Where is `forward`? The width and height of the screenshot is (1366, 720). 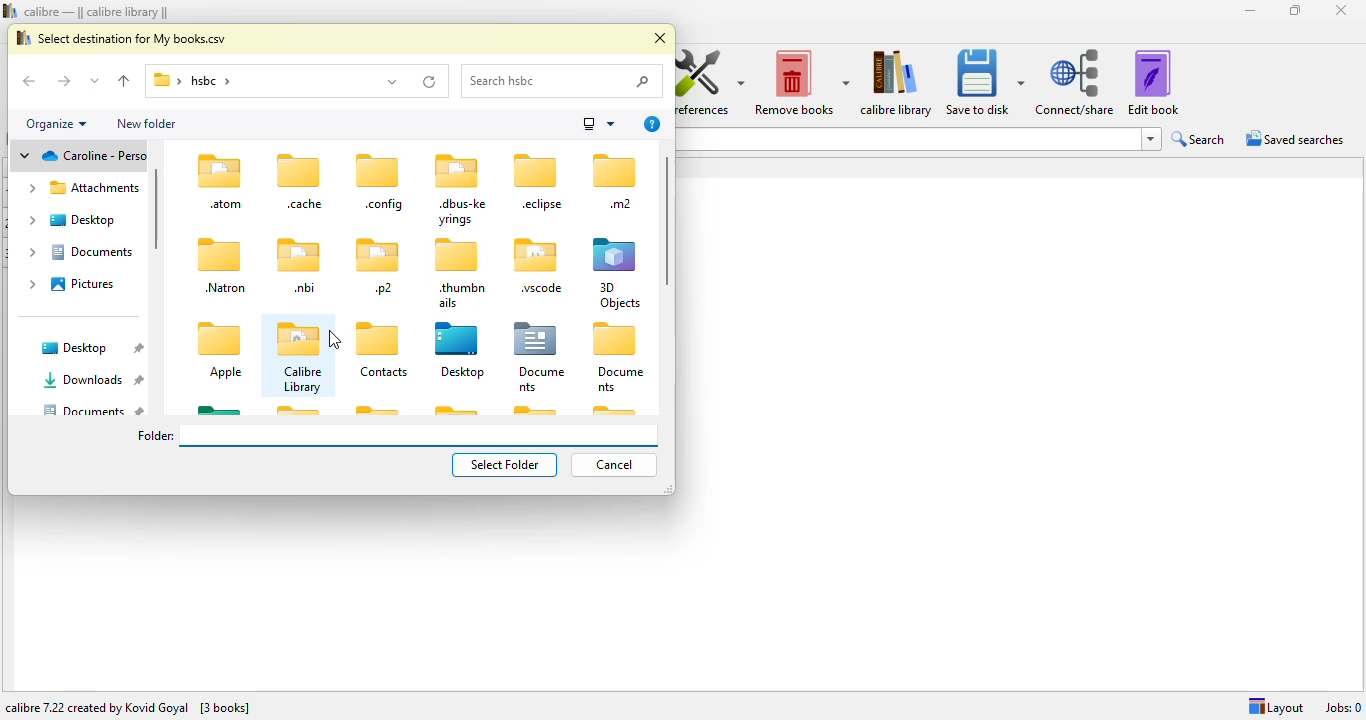
forward is located at coordinates (63, 81).